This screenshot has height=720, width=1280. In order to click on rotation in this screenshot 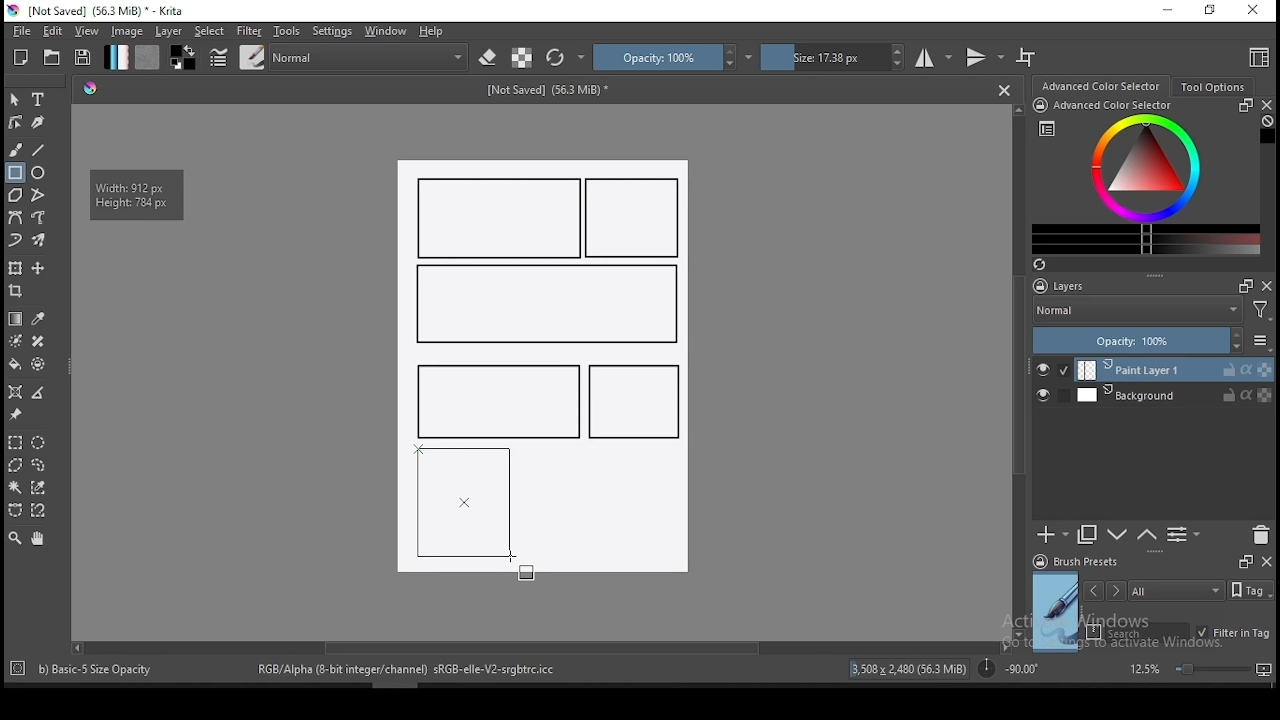, I will do `click(1008, 667)`.